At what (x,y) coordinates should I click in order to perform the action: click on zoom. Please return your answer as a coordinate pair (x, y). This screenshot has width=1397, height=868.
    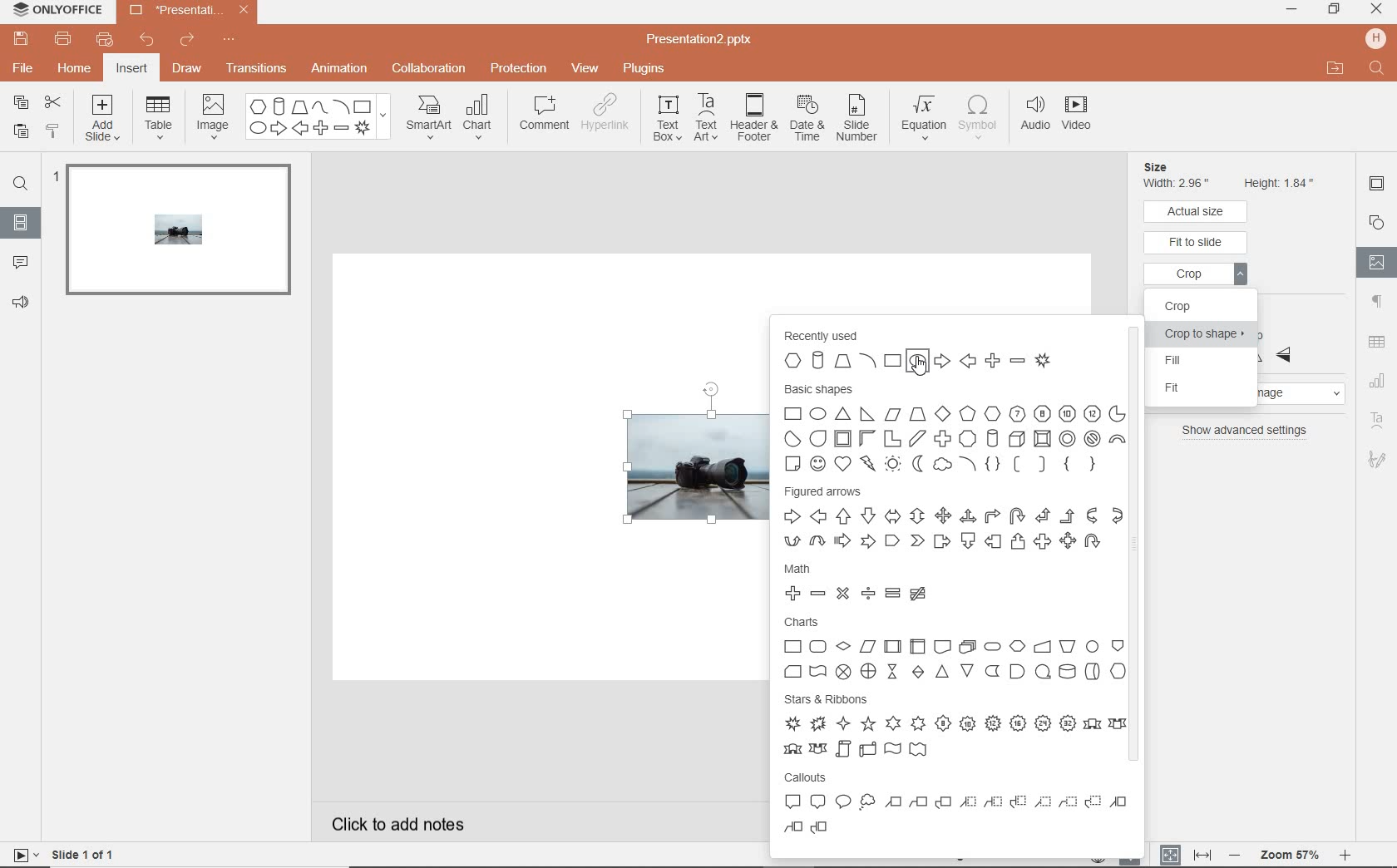
    Looking at the image, I should click on (1289, 853).